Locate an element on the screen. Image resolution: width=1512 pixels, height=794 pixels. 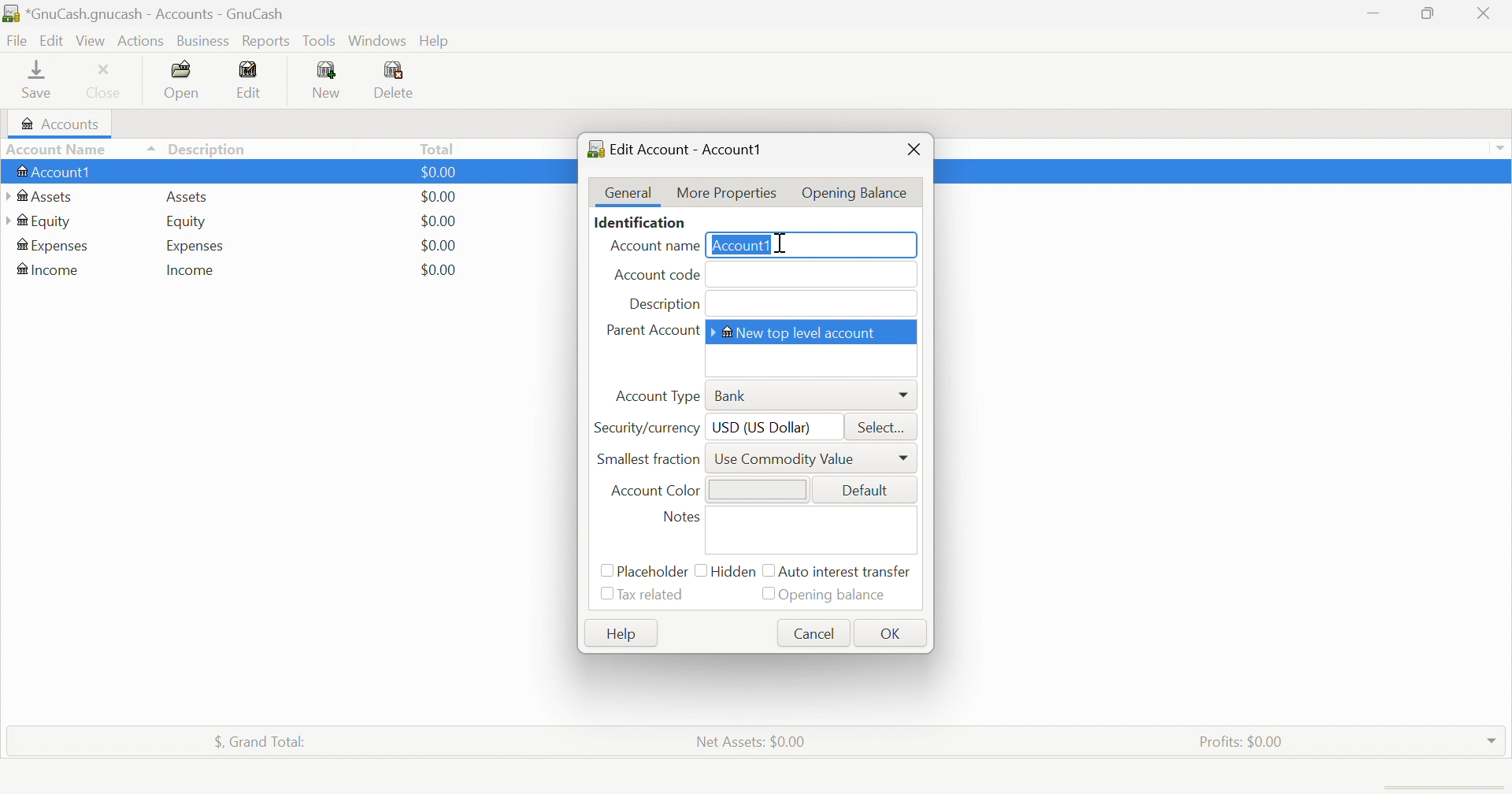
New is located at coordinates (328, 80).